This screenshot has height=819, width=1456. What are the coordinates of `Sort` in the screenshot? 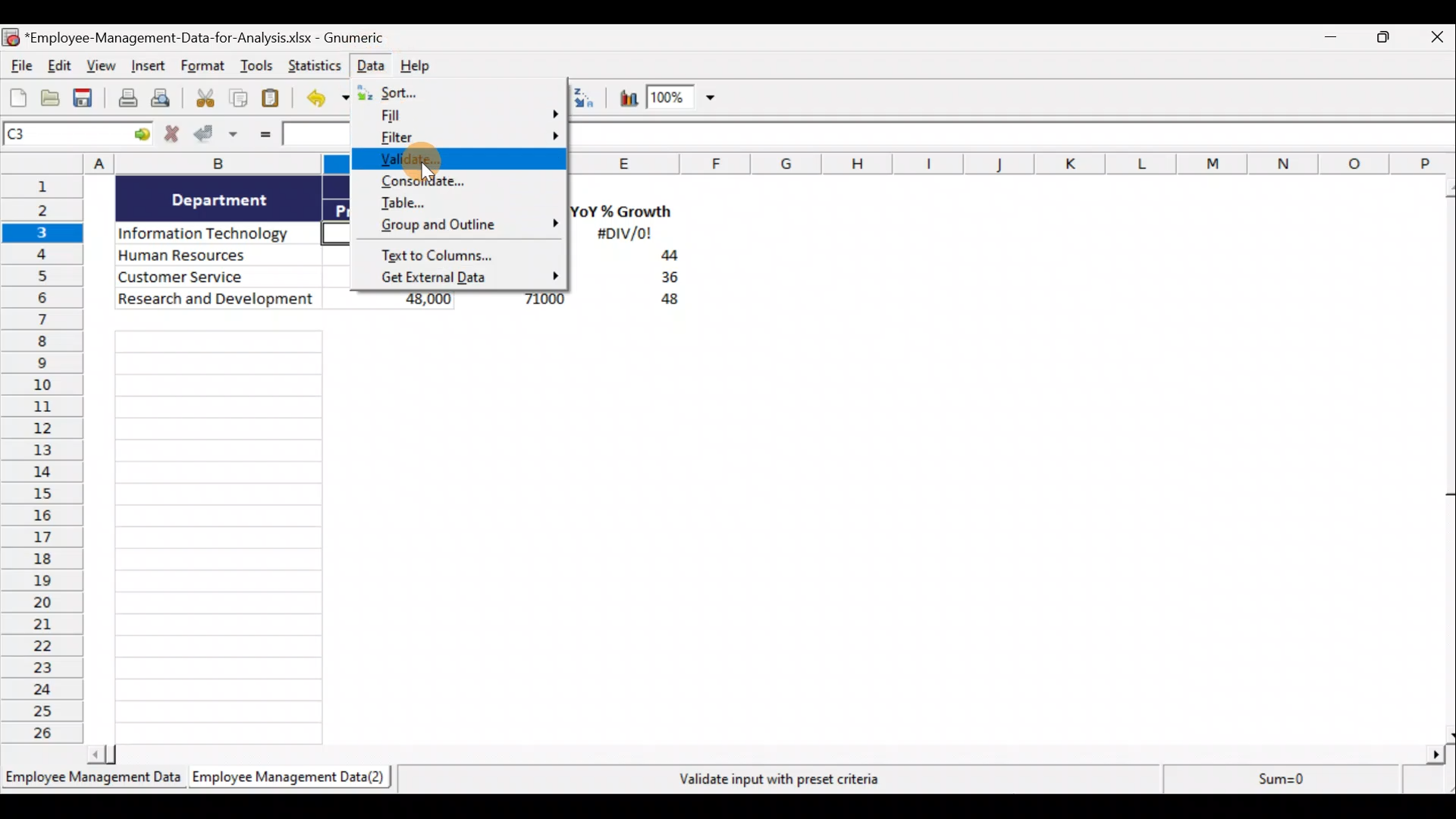 It's located at (463, 93).